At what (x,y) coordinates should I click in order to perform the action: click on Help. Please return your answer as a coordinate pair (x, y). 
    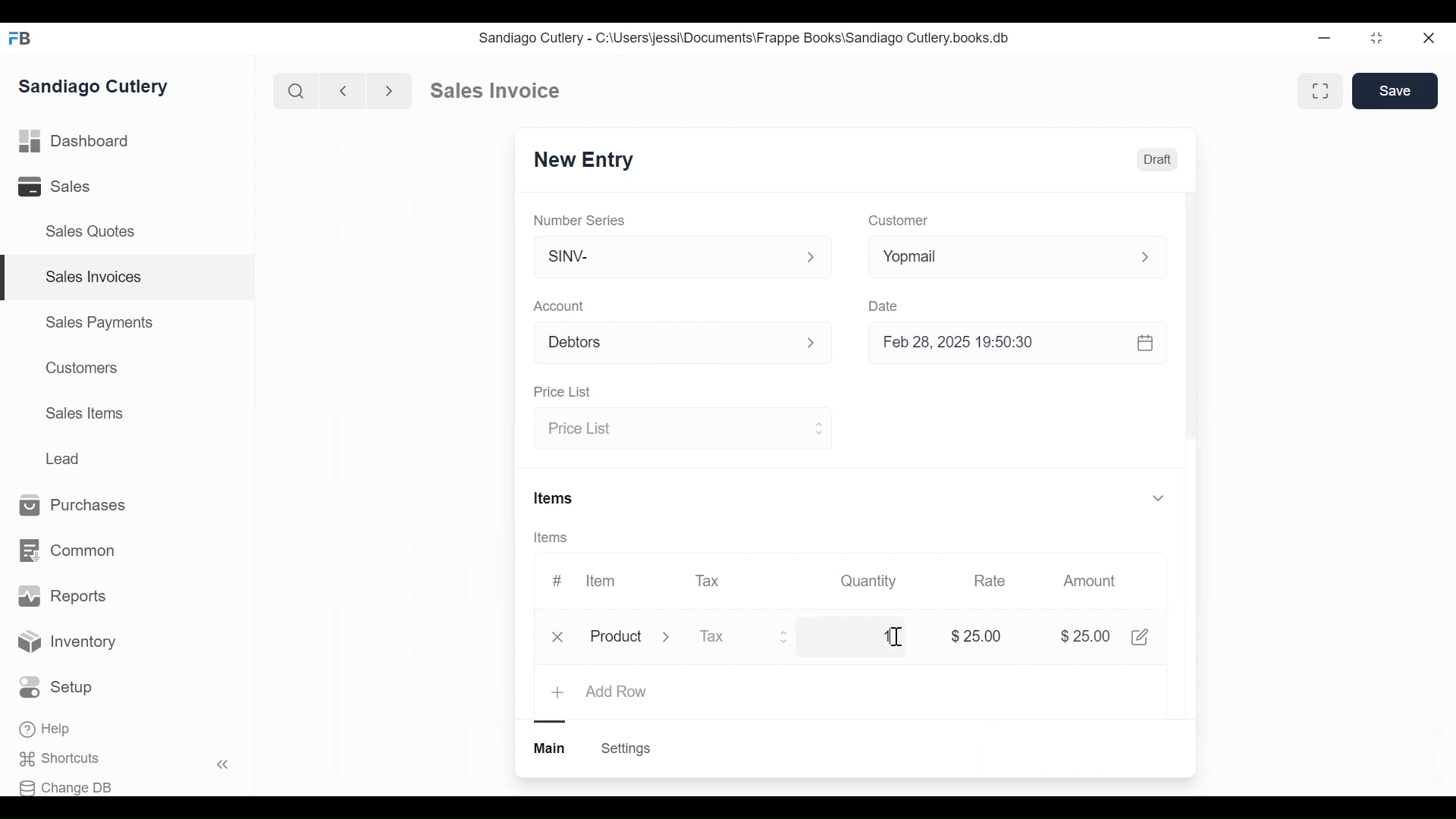
    Looking at the image, I should click on (46, 729).